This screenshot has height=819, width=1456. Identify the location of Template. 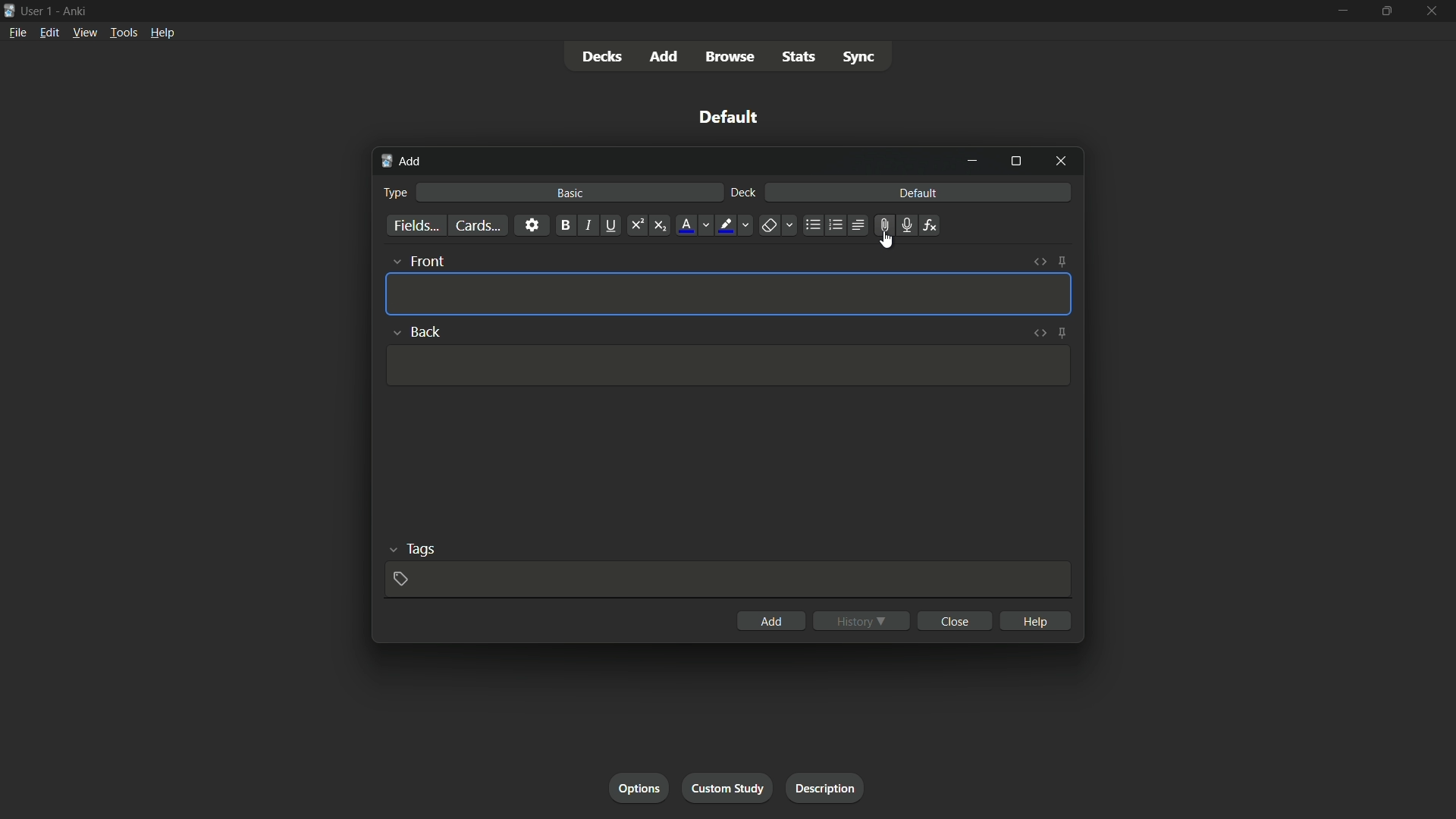
(726, 365).